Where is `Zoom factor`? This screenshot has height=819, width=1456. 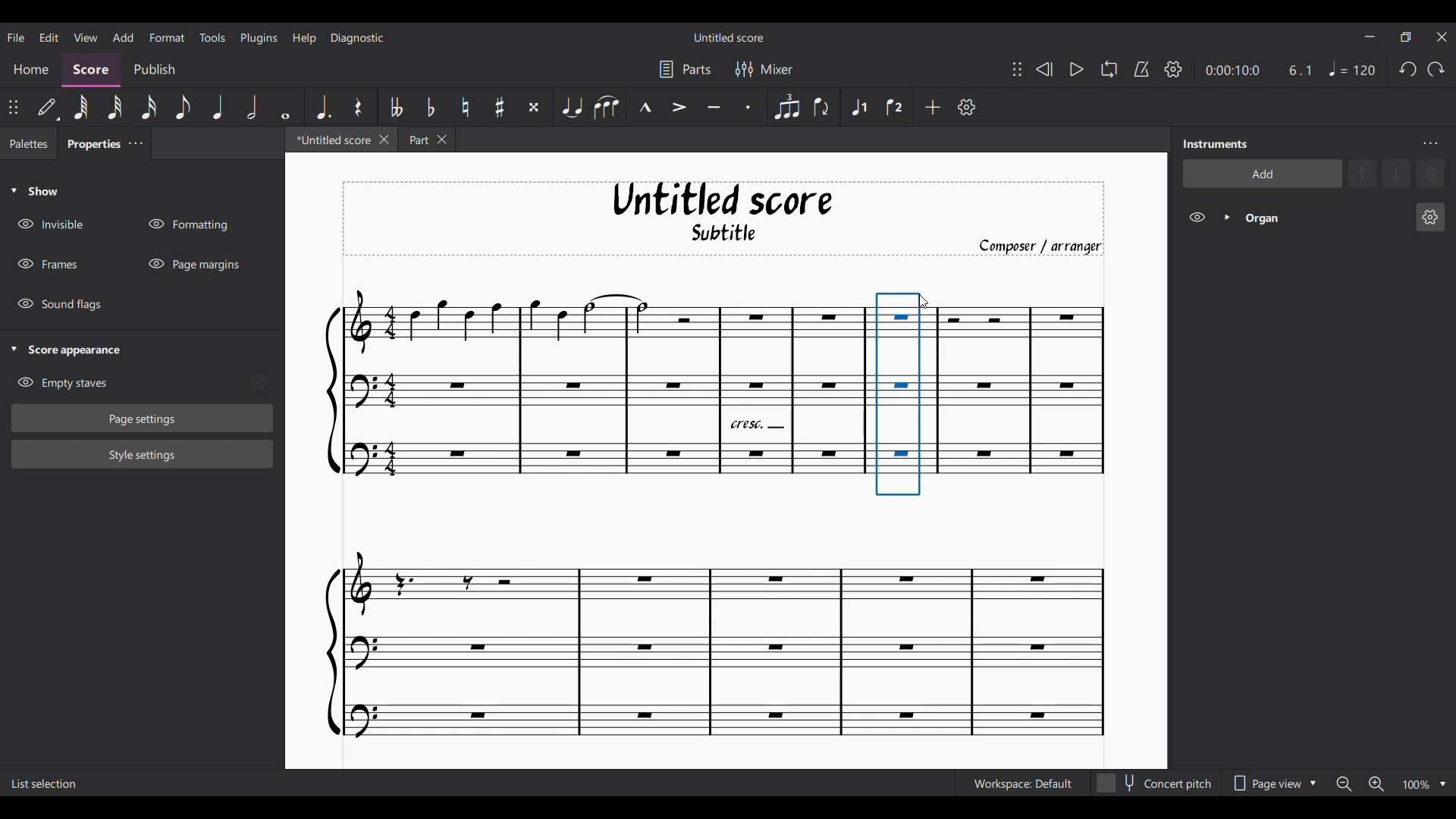
Zoom factor is located at coordinates (1416, 785).